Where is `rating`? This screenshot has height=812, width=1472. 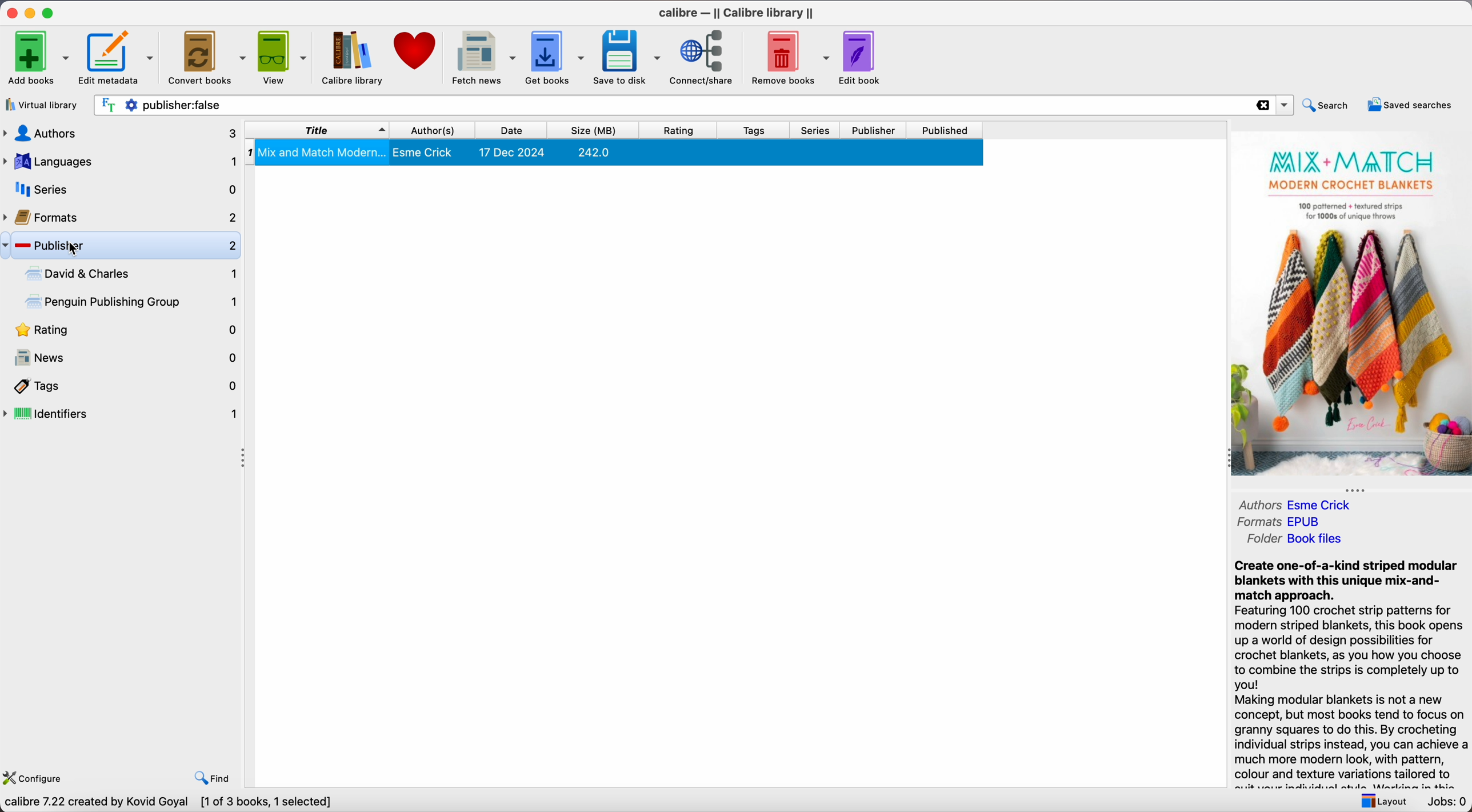
rating is located at coordinates (685, 130).